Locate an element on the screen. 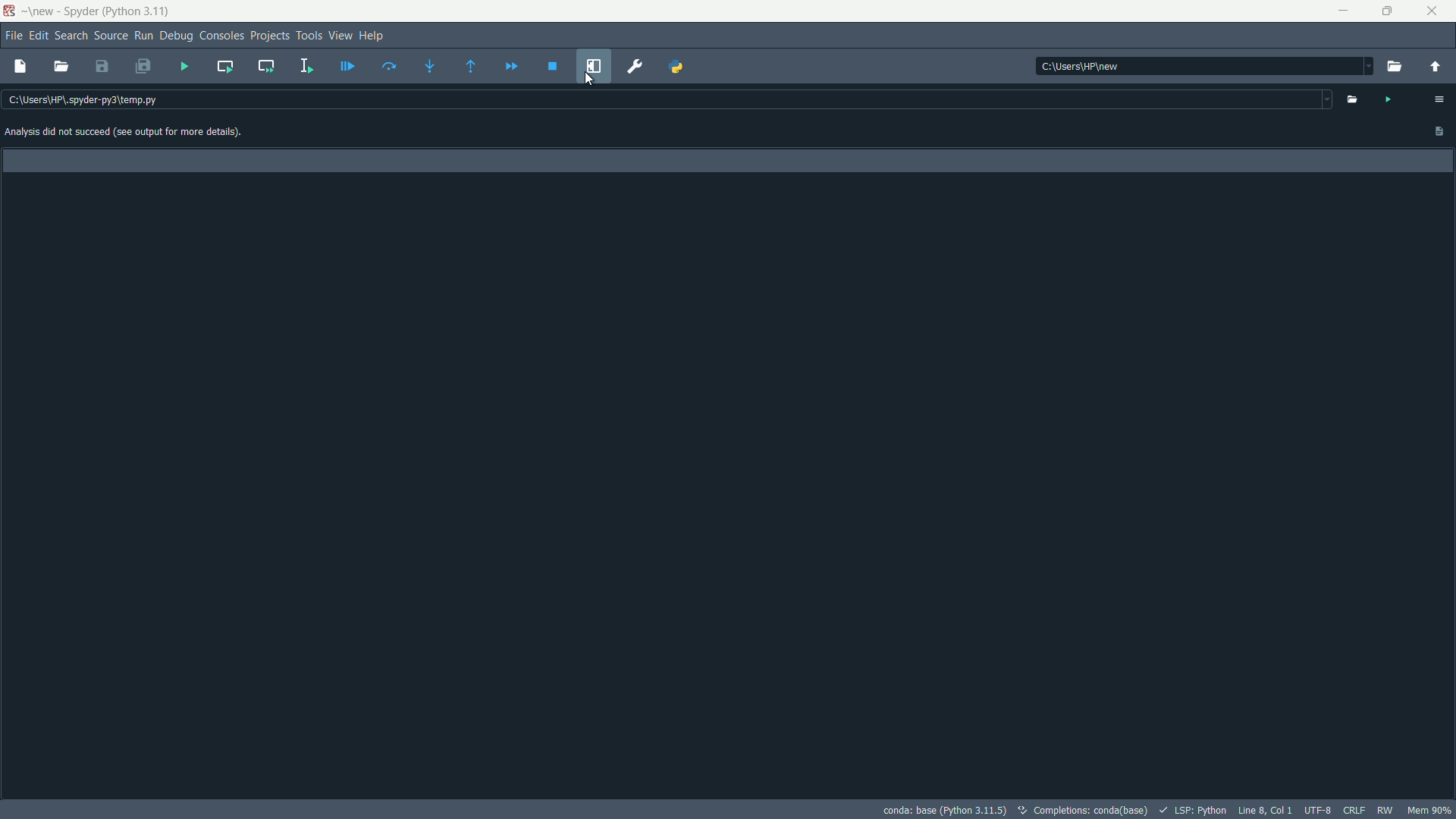  parent directory is located at coordinates (1435, 67).